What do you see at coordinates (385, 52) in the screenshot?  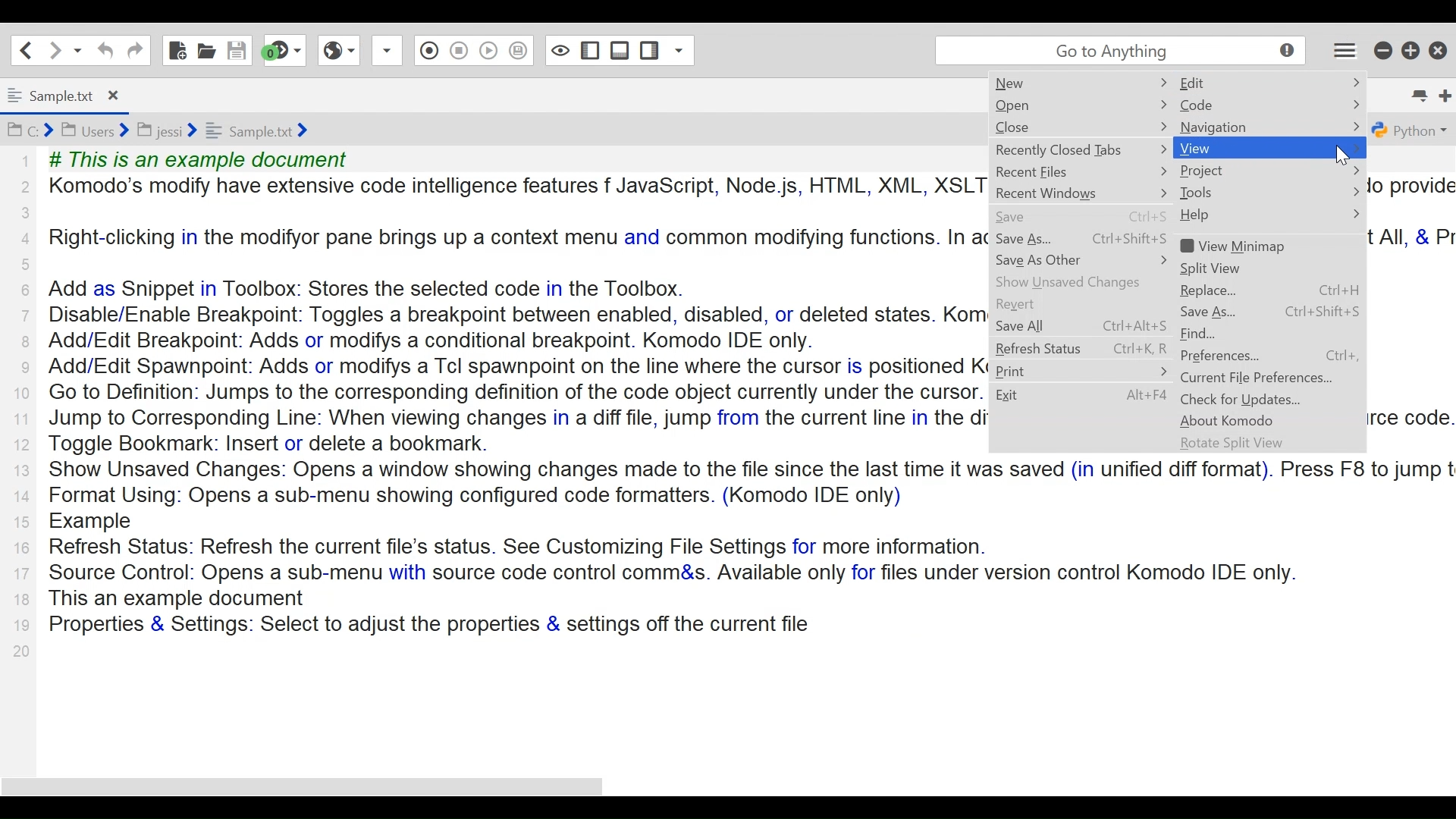 I see `Record Macro` at bounding box center [385, 52].